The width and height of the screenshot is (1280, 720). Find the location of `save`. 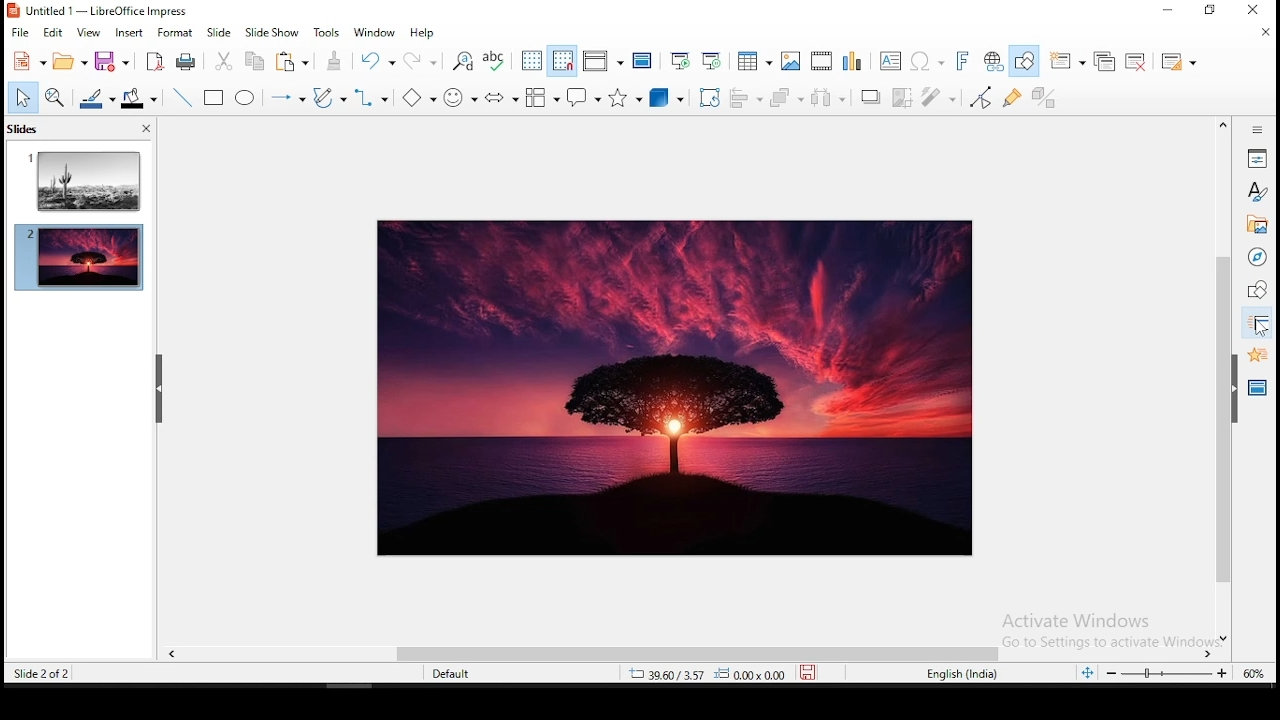

save is located at coordinates (811, 673).